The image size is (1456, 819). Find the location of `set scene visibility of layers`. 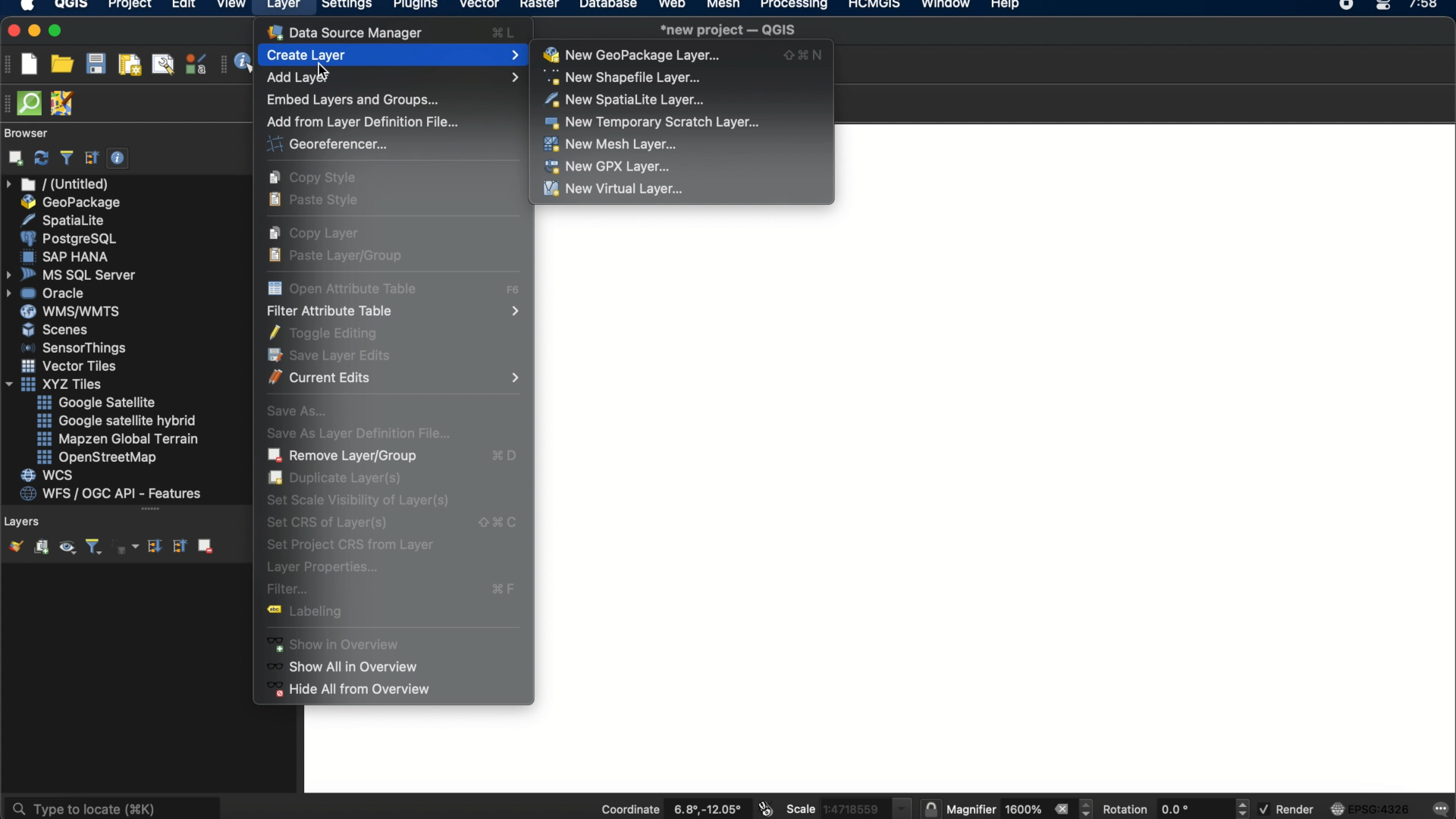

set scene visibility of layers is located at coordinates (361, 500).